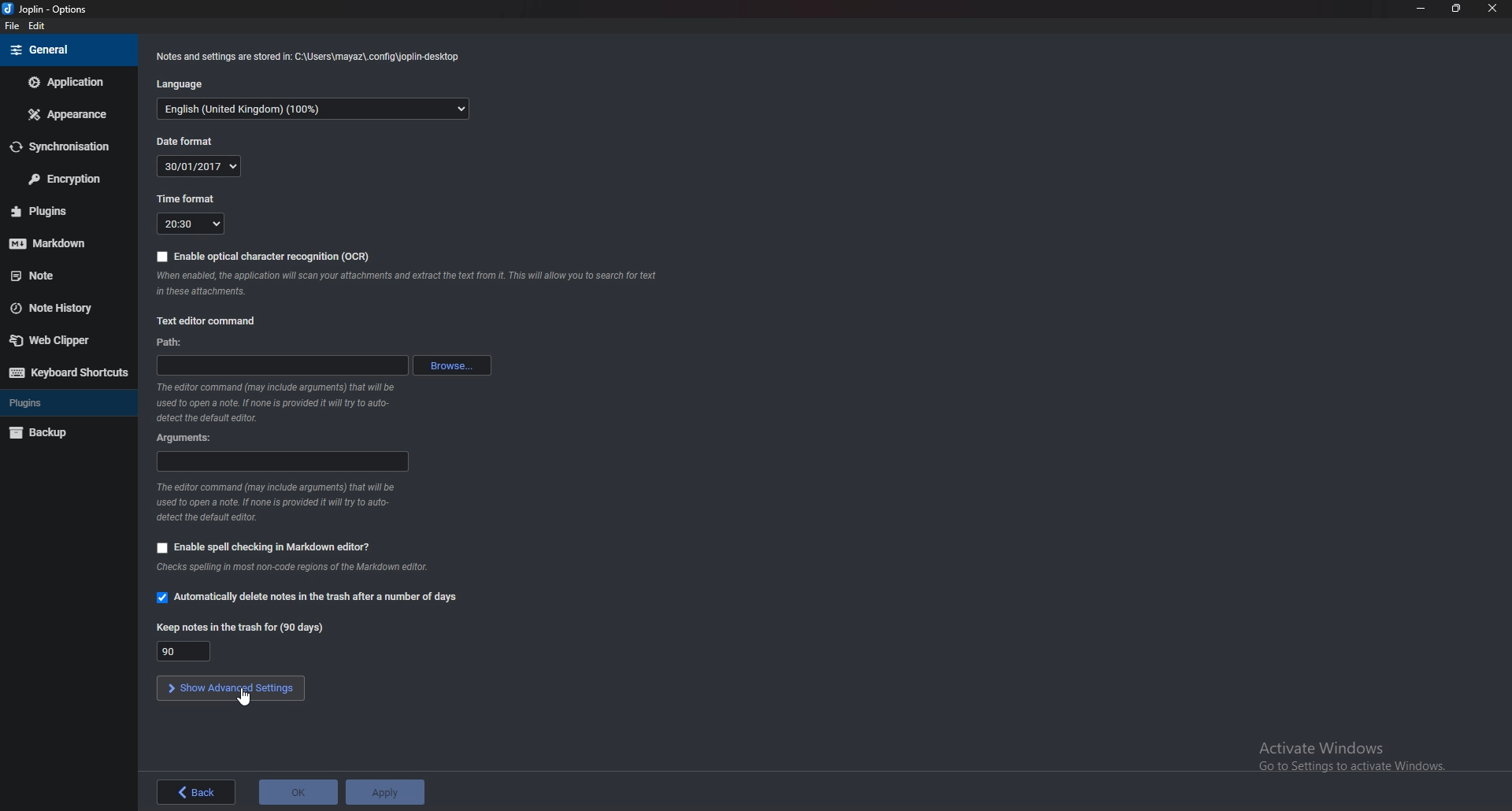 This screenshot has width=1512, height=811. What do you see at coordinates (191, 143) in the screenshot?
I see `Date format` at bounding box center [191, 143].